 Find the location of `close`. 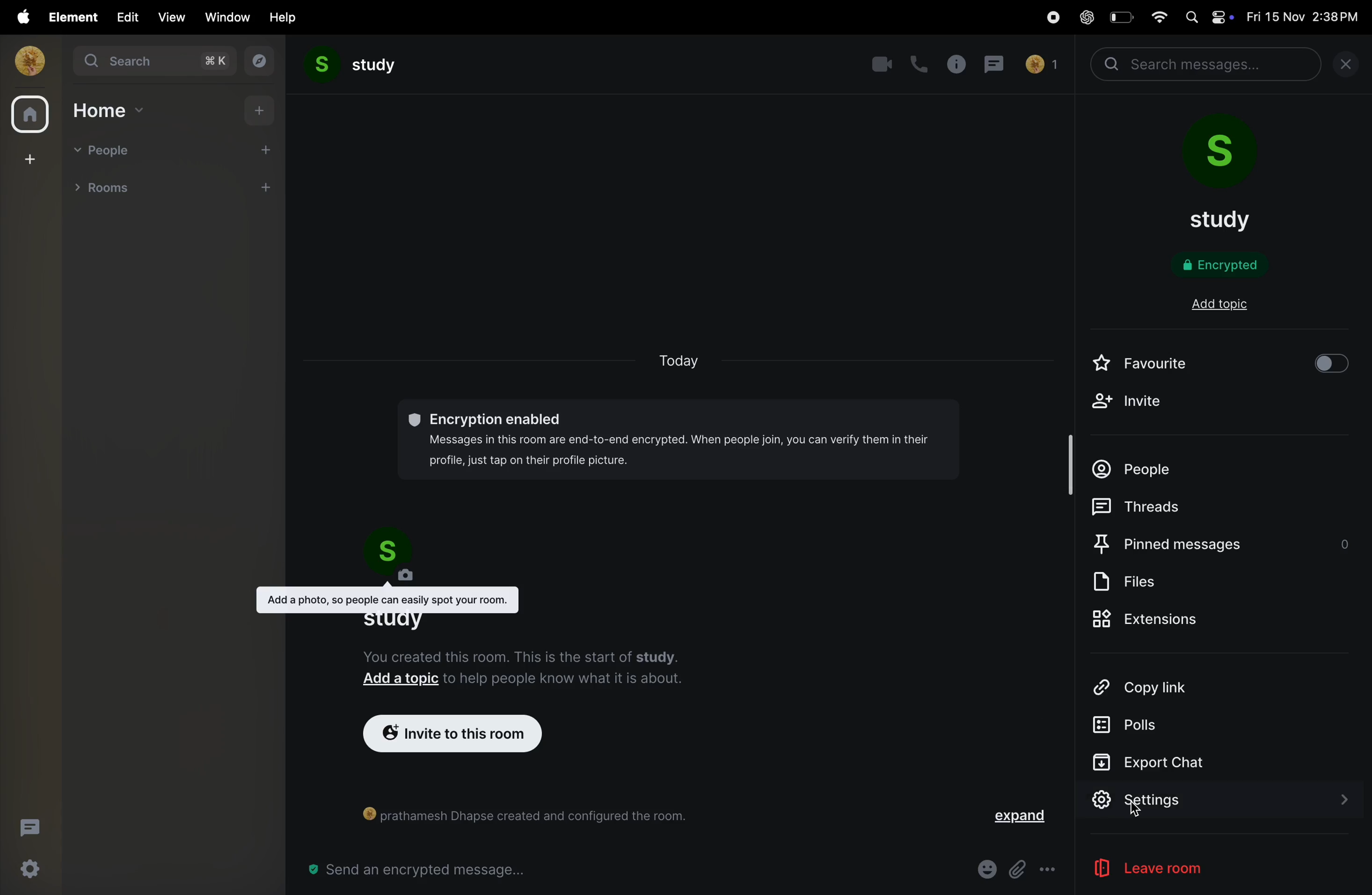

close is located at coordinates (1351, 67).